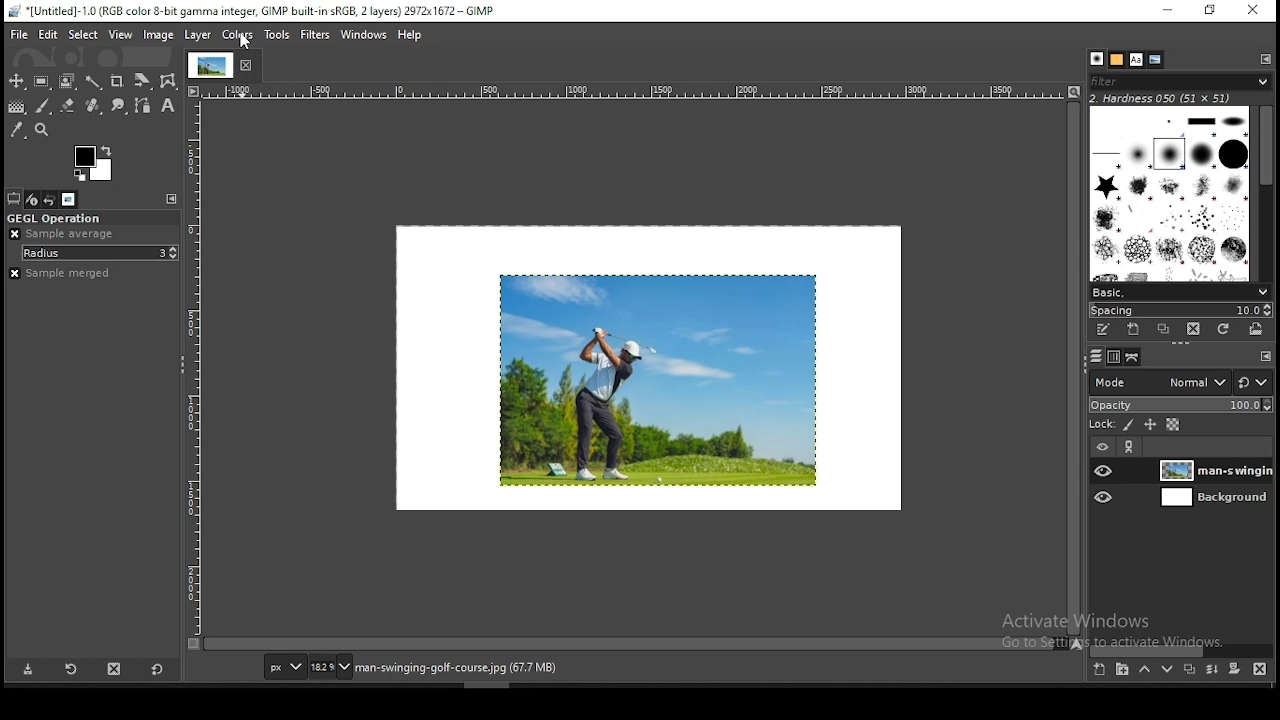  I want to click on scroll bar, so click(1266, 193).